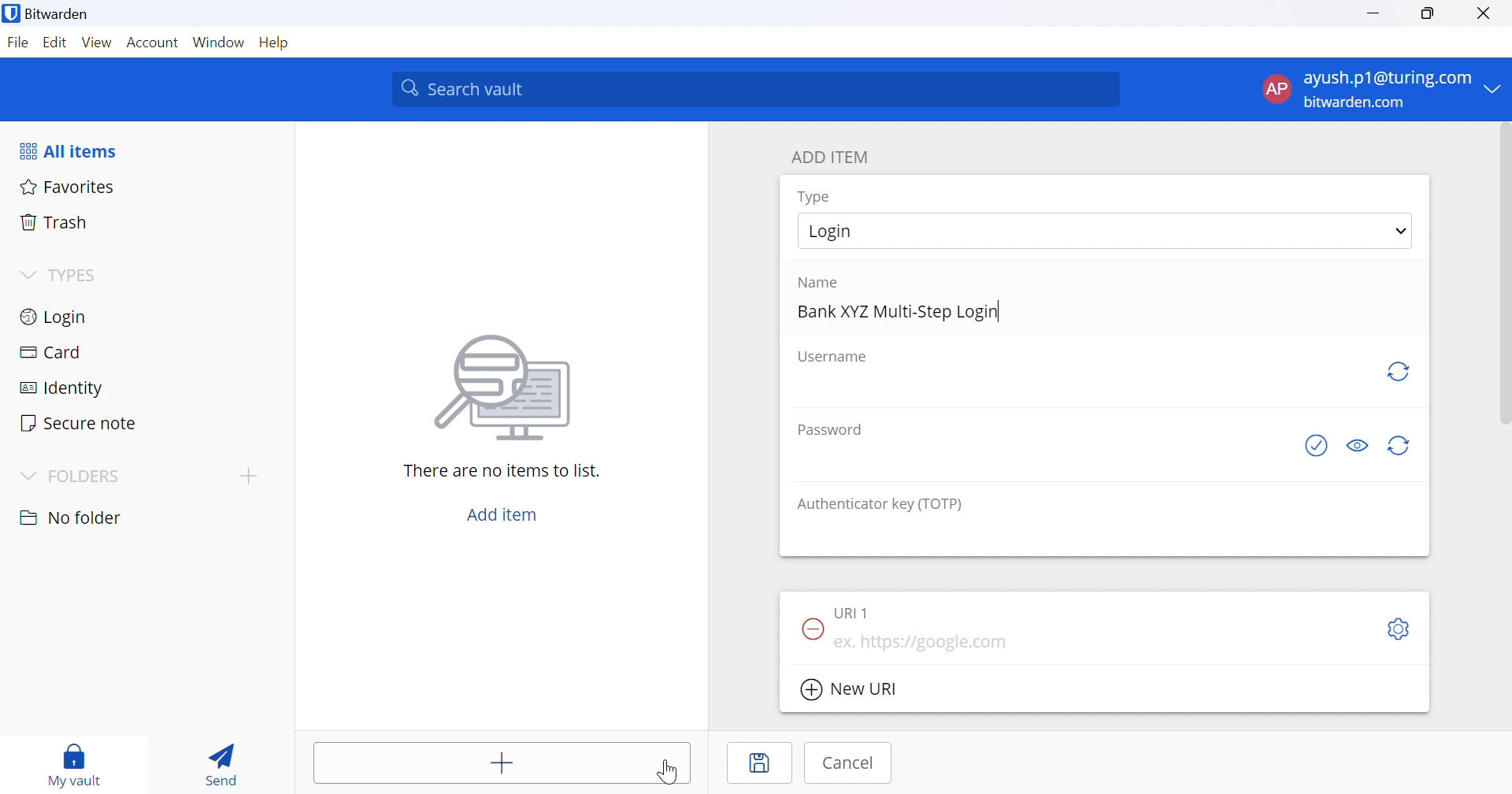 This screenshot has height=794, width=1512. What do you see at coordinates (81, 425) in the screenshot?
I see `Secure note` at bounding box center [81, 425].